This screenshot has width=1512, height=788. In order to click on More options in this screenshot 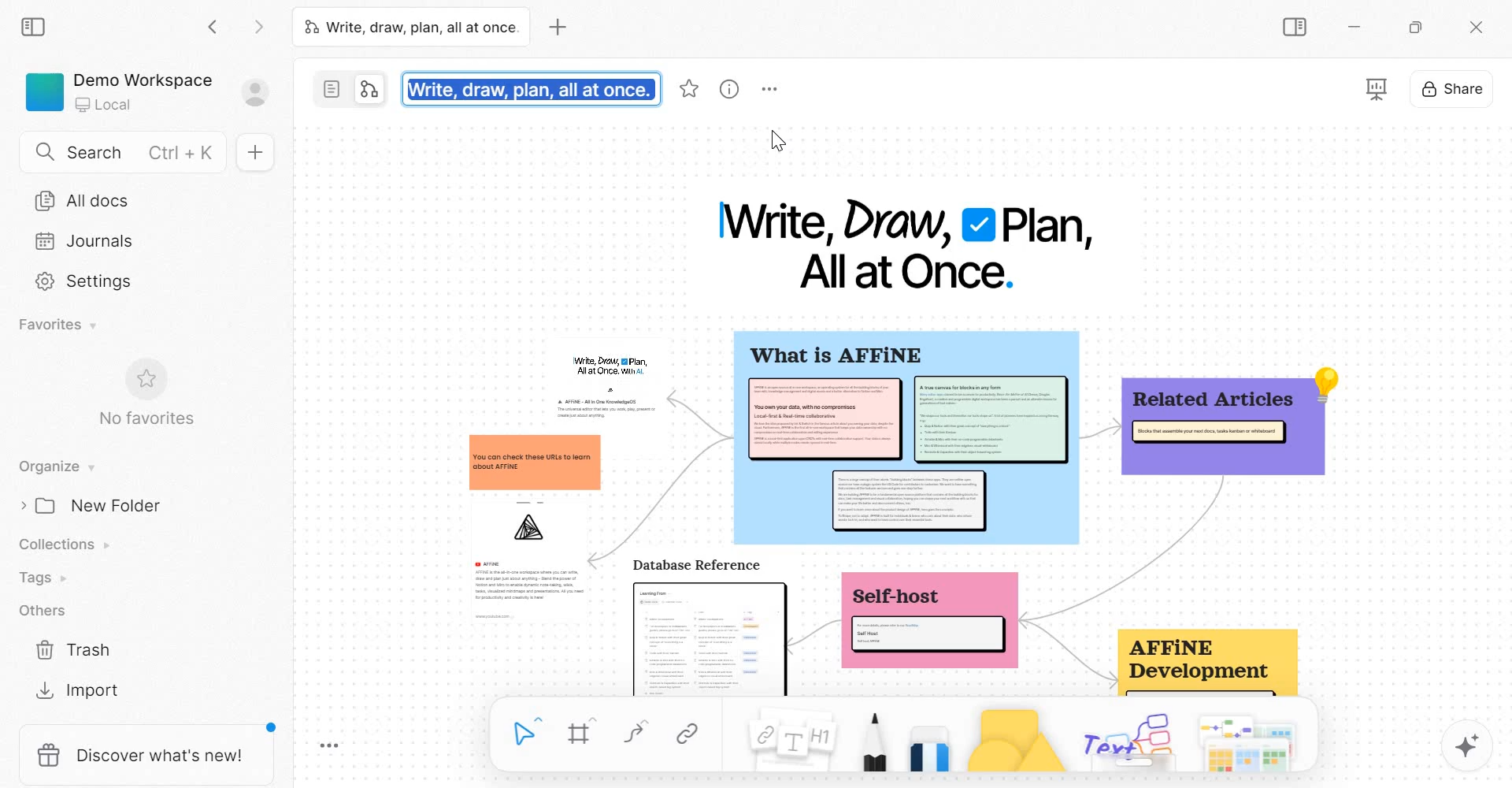, I will do `click(773, 91)`.